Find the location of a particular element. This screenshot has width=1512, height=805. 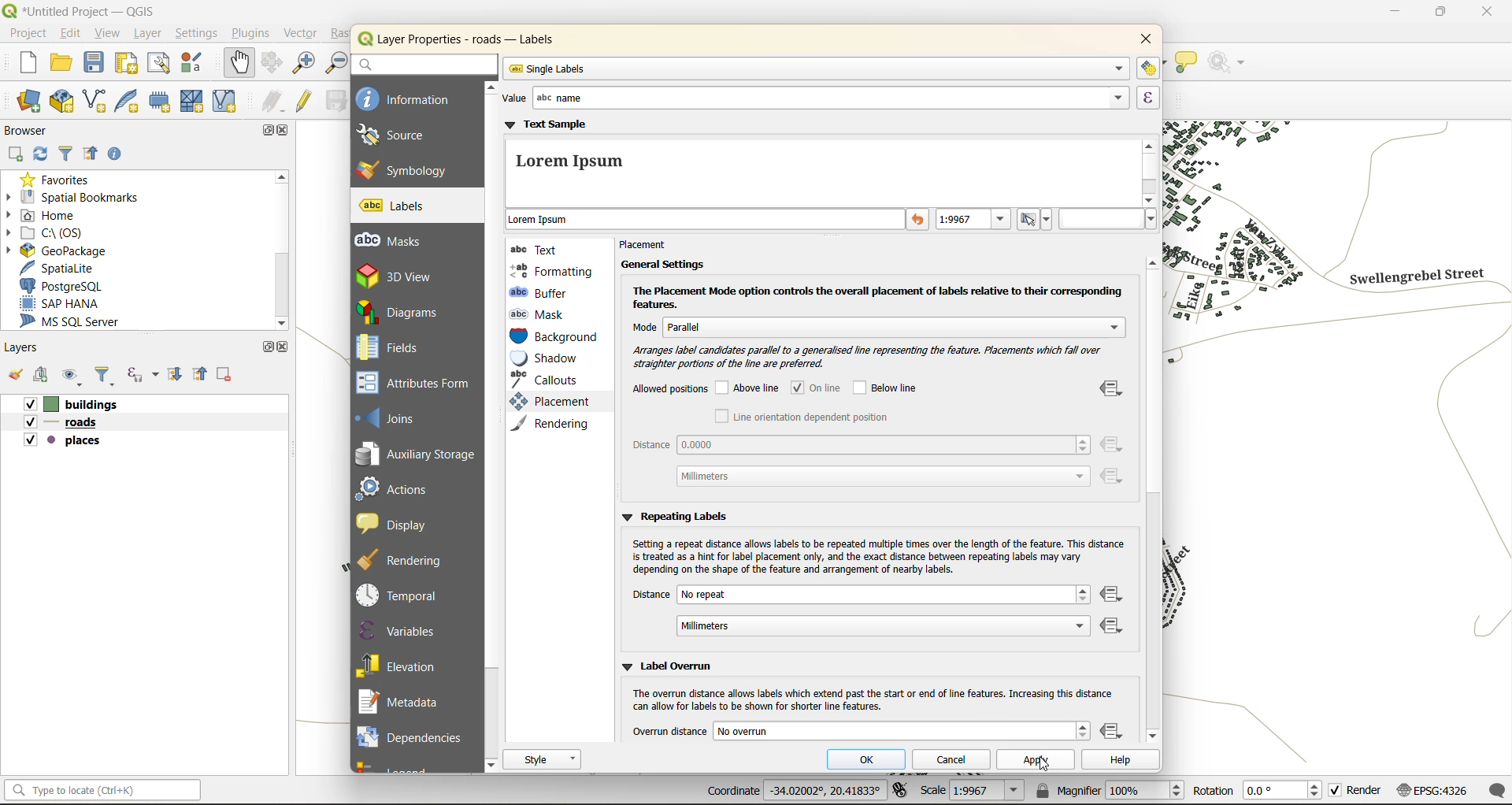

style is located at coordinates (543, 759).